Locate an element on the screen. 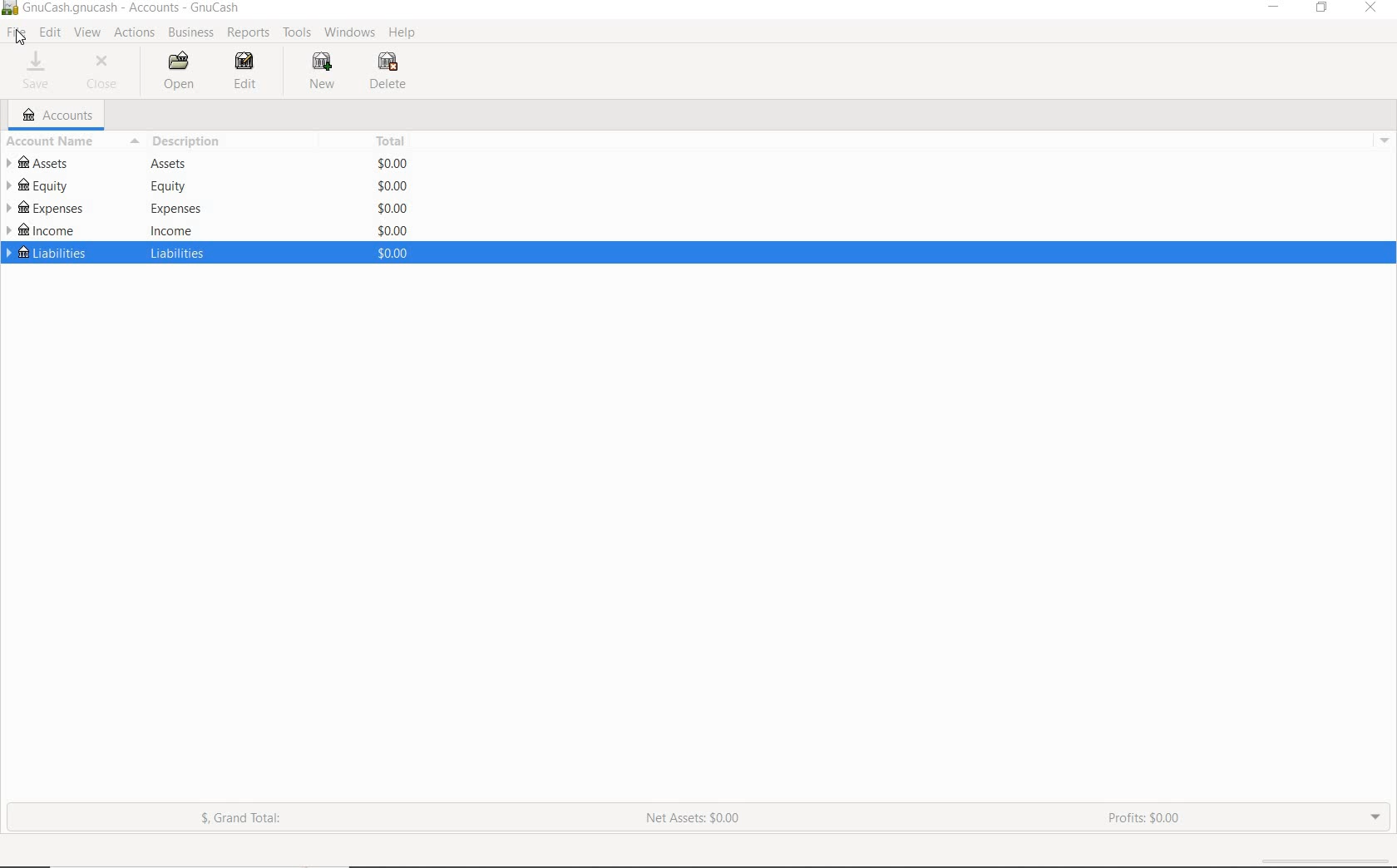 Image resolution: width=1397 pixels, height=868 pixels. PROFITS is located at coordinates (1145, 817).